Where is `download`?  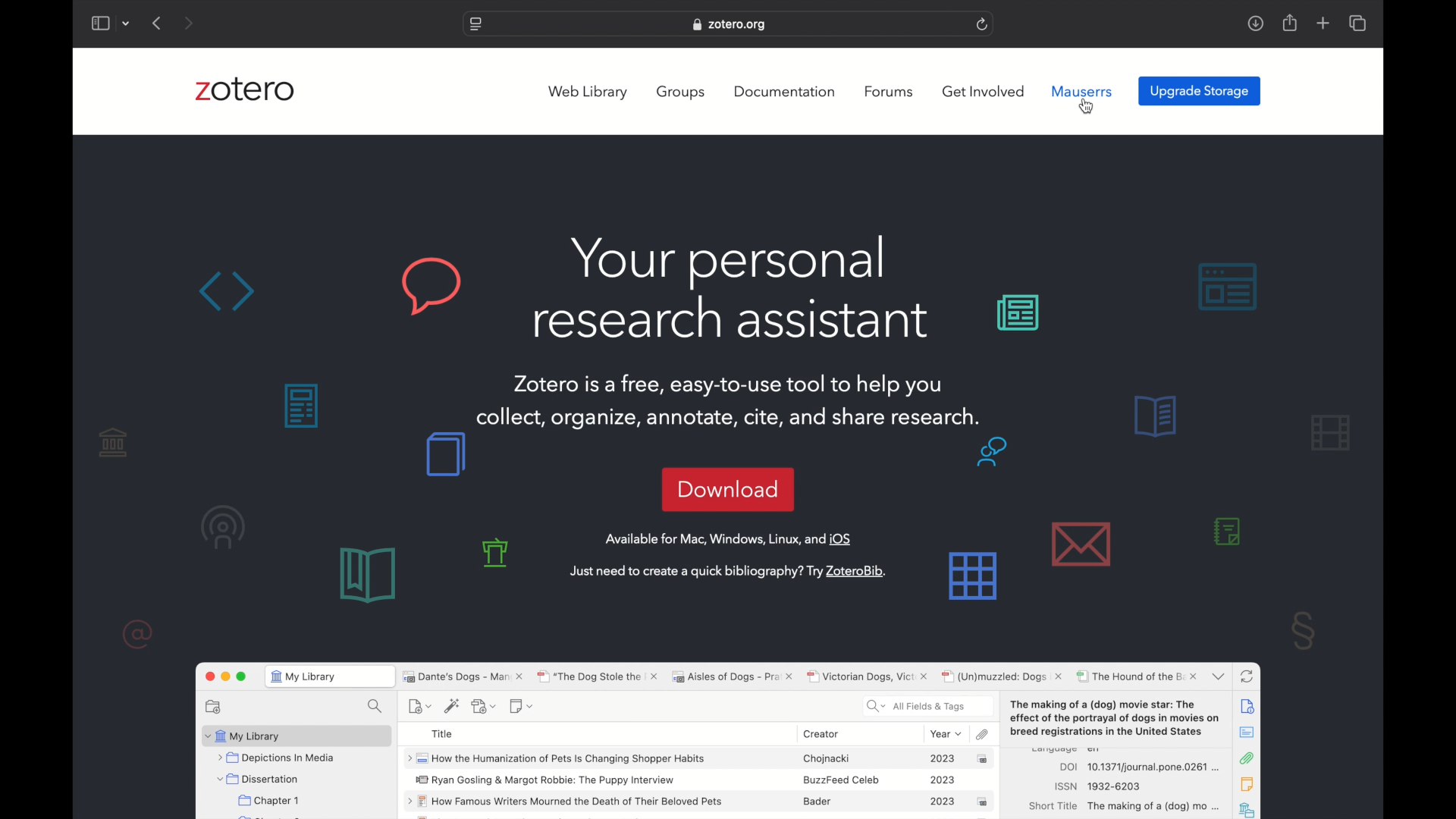 download is located at coordinates (727, 489).